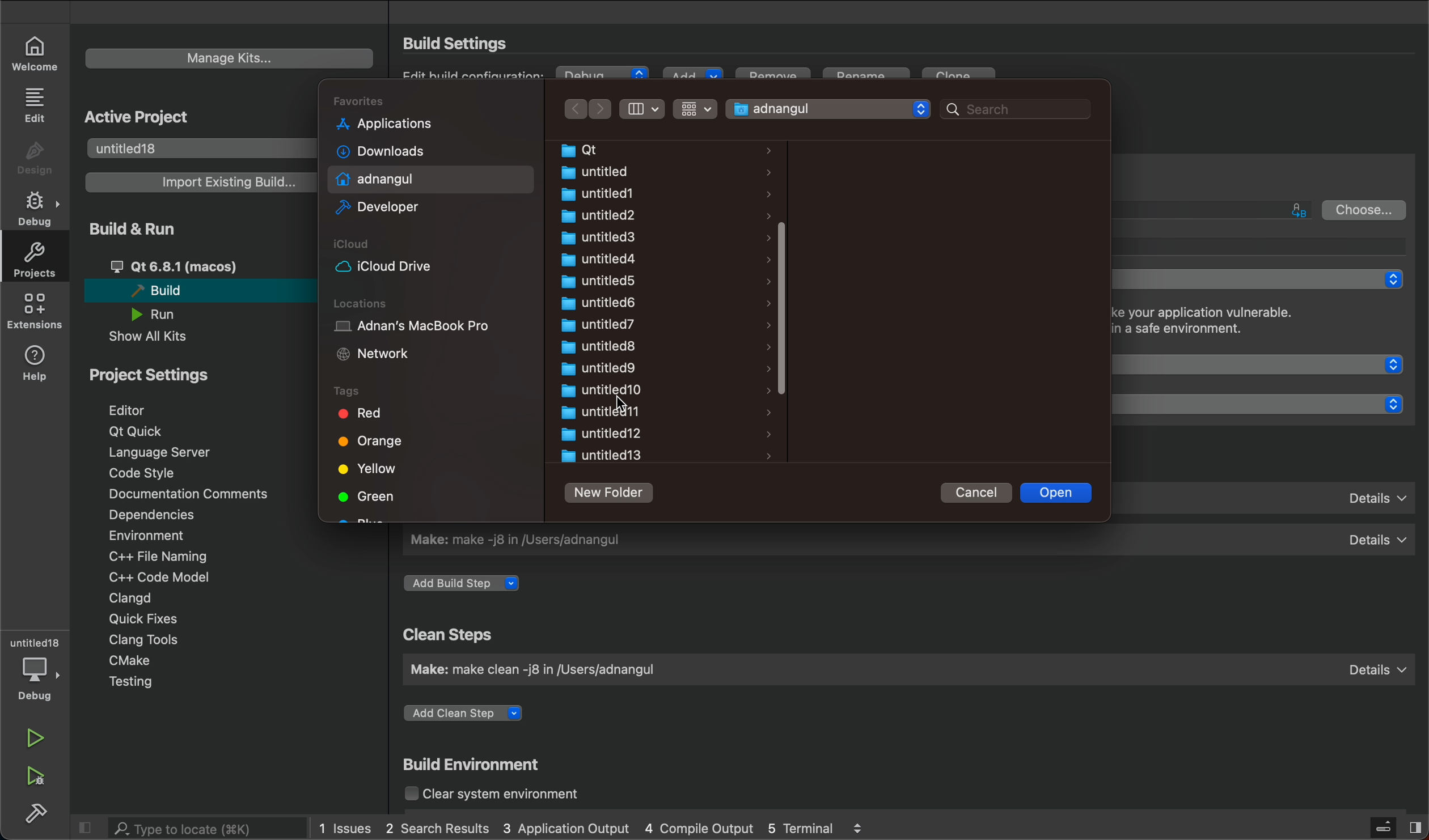  Describe the element at coordinates (151, 376) in the screenshot. I see `project setting` at that location.